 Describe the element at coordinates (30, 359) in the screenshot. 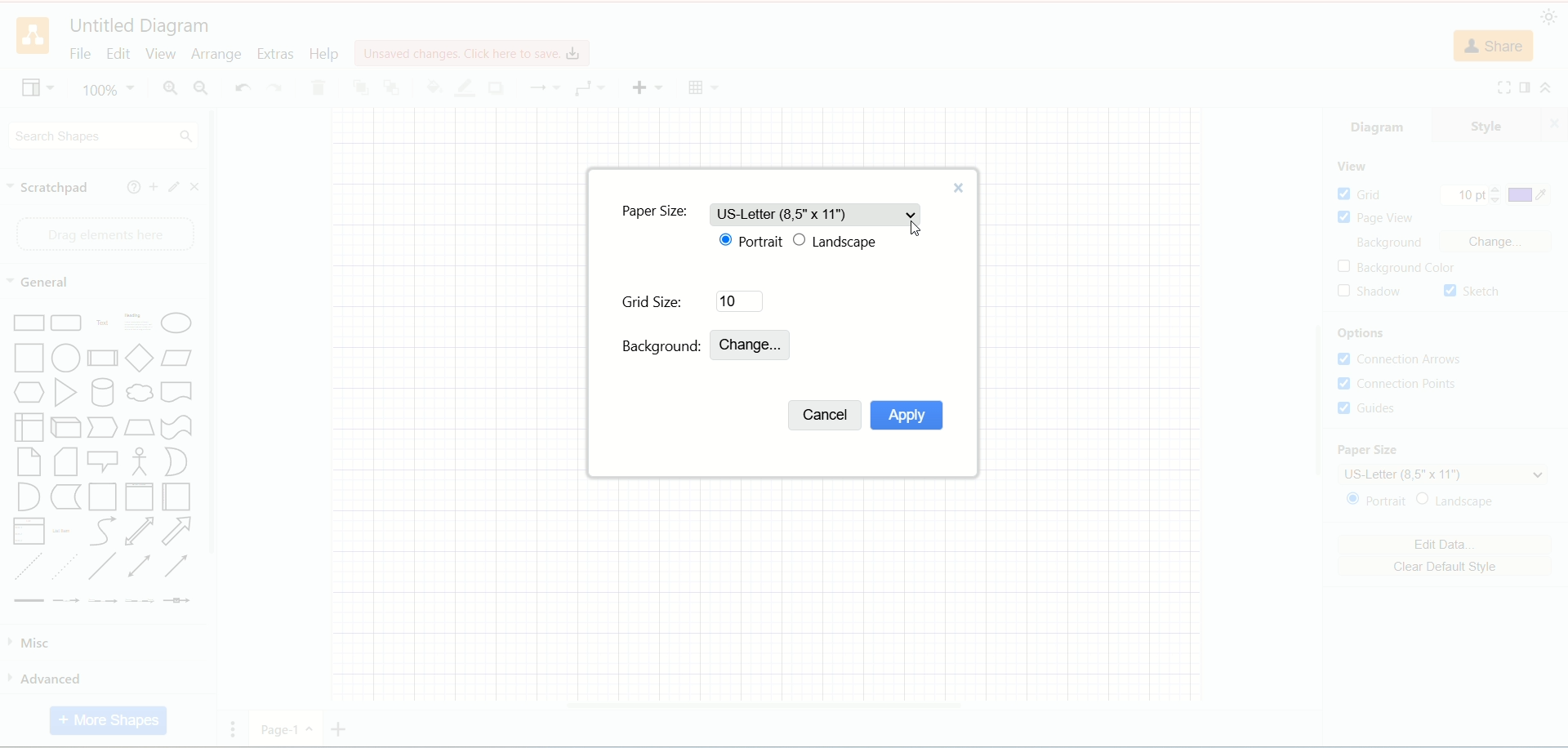

I see `Square` at that location.